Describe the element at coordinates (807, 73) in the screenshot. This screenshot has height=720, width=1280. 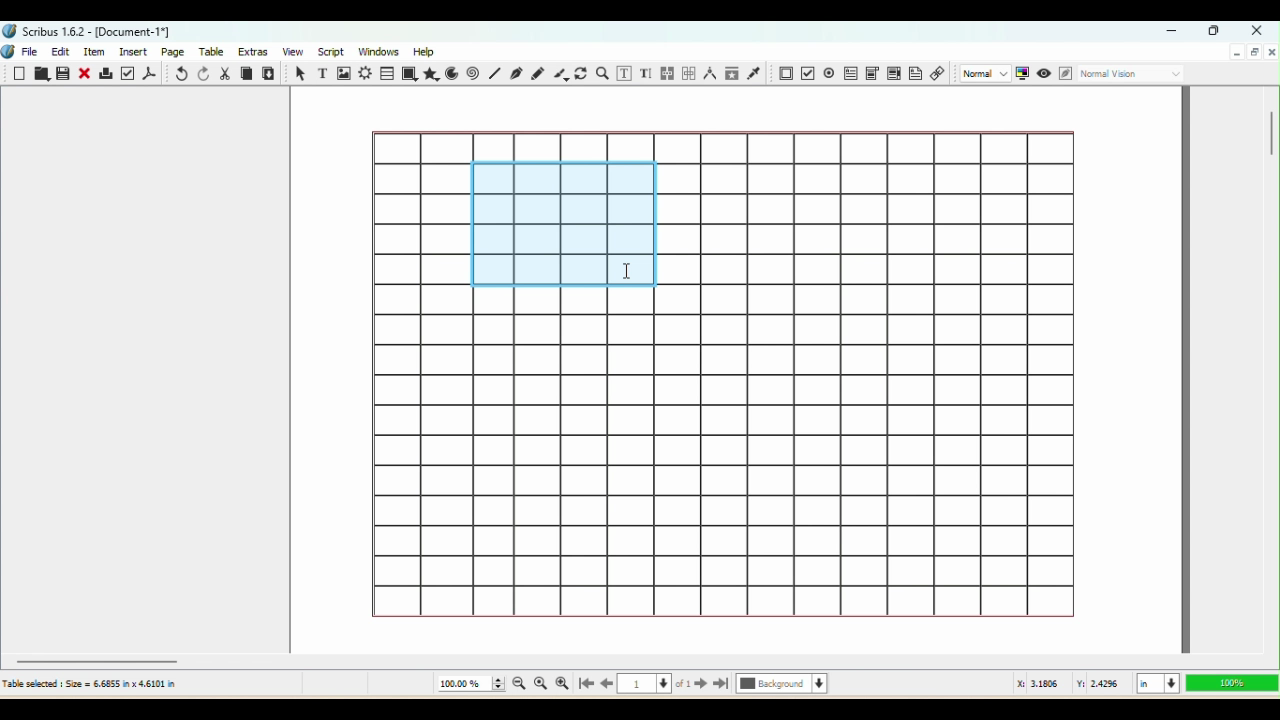
I see `PDF Radio button` at that location.